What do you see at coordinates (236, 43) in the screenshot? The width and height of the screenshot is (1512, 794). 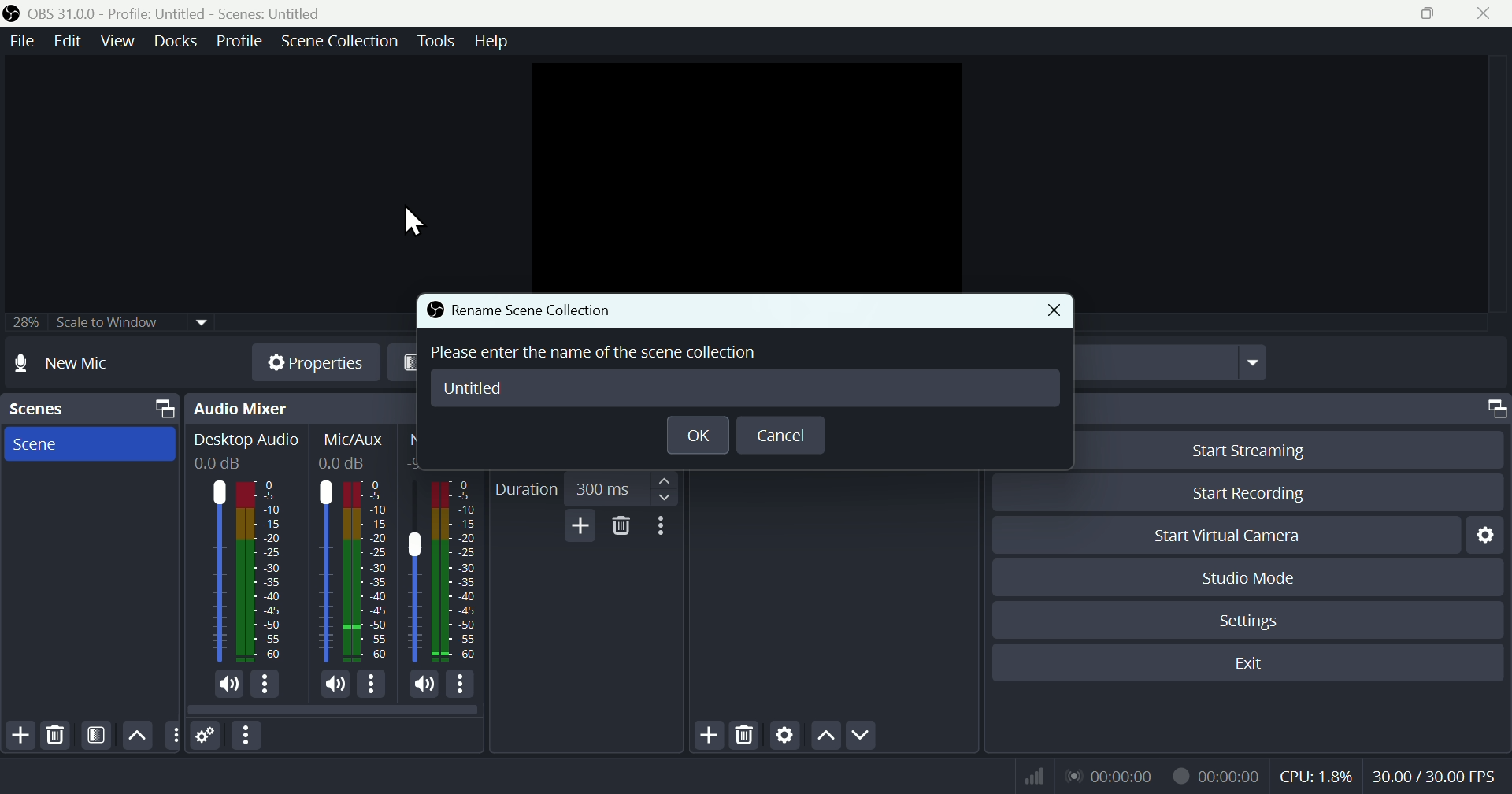 I see `Profile` at bounding box center [236, 43].